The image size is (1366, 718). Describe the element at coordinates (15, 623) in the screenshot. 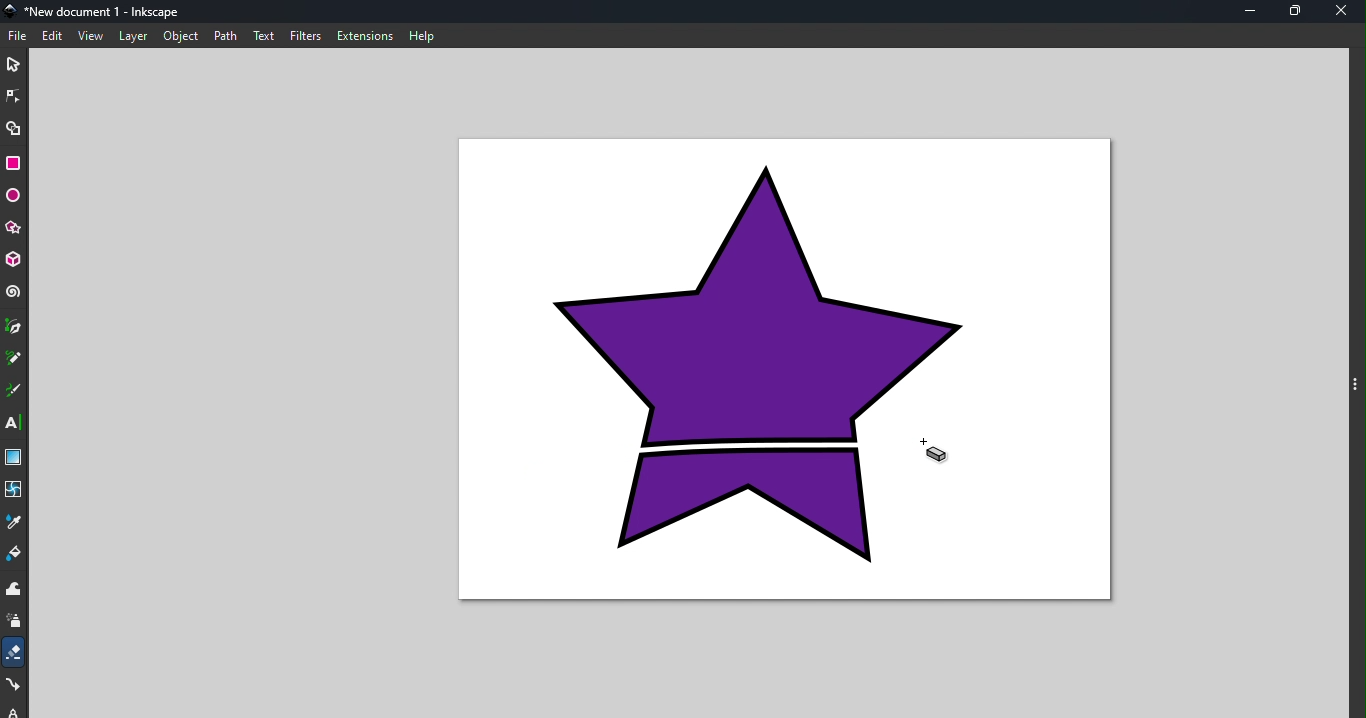

I see `spray tool` at that location.